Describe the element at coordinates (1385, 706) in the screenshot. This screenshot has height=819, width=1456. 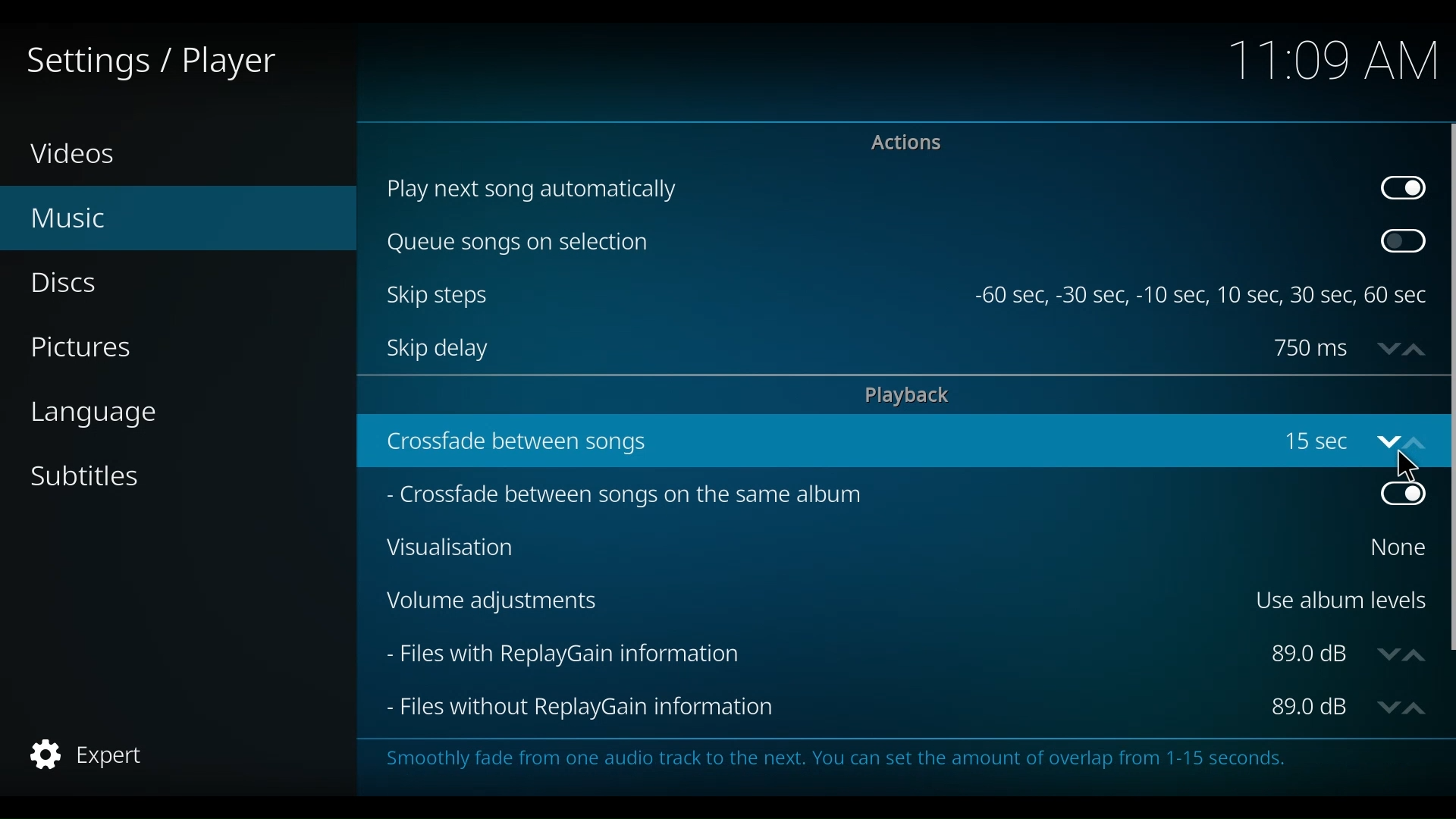
I see `Down` at that location.